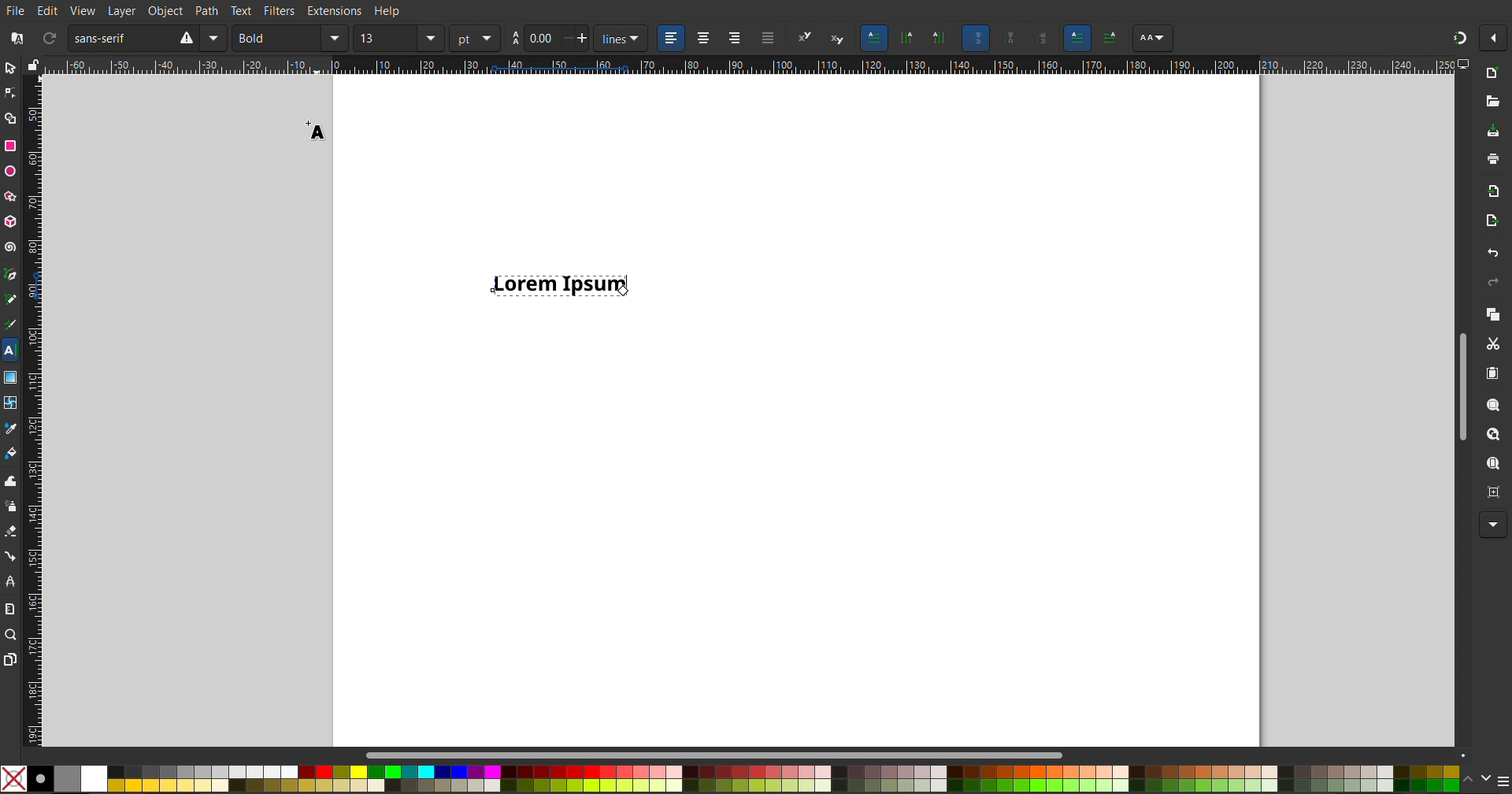 The height and width of the screenshot is (794, 1512). What do you see at coordinates (1492, 373) in the screenshot?
I see `Paste` at bounding box center [1492, 373].